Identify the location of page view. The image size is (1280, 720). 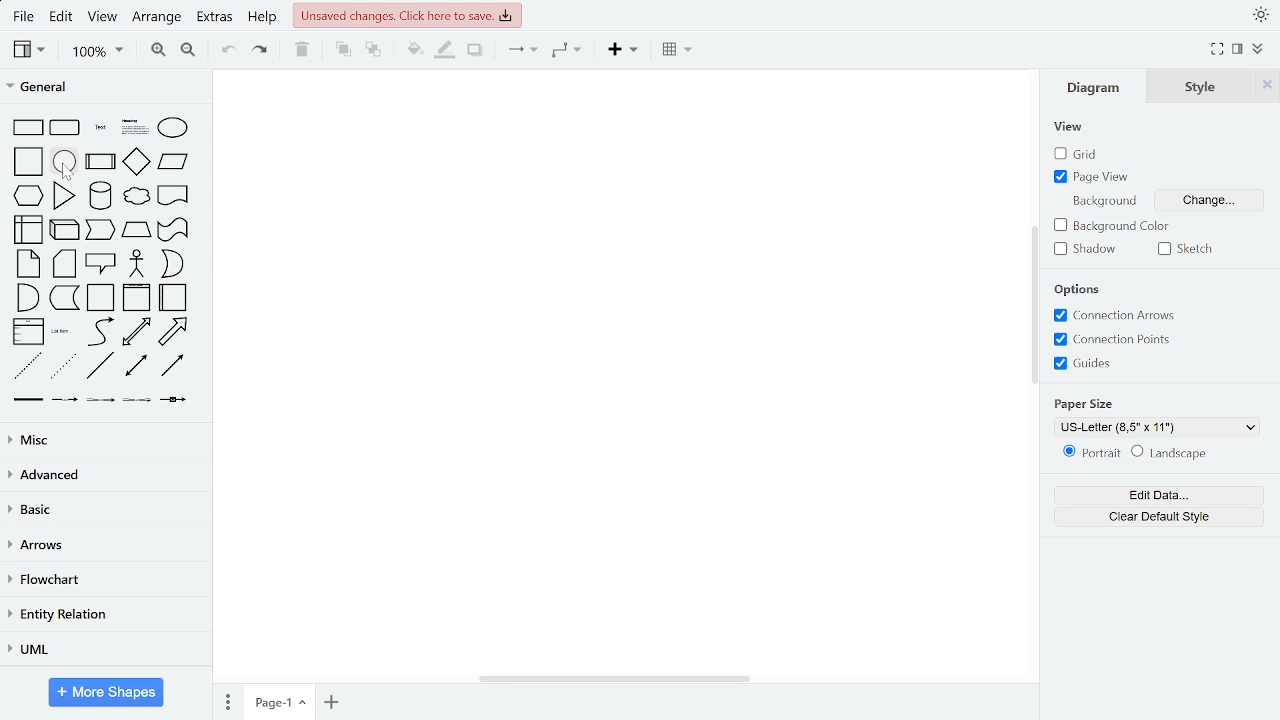
(1098, 176).